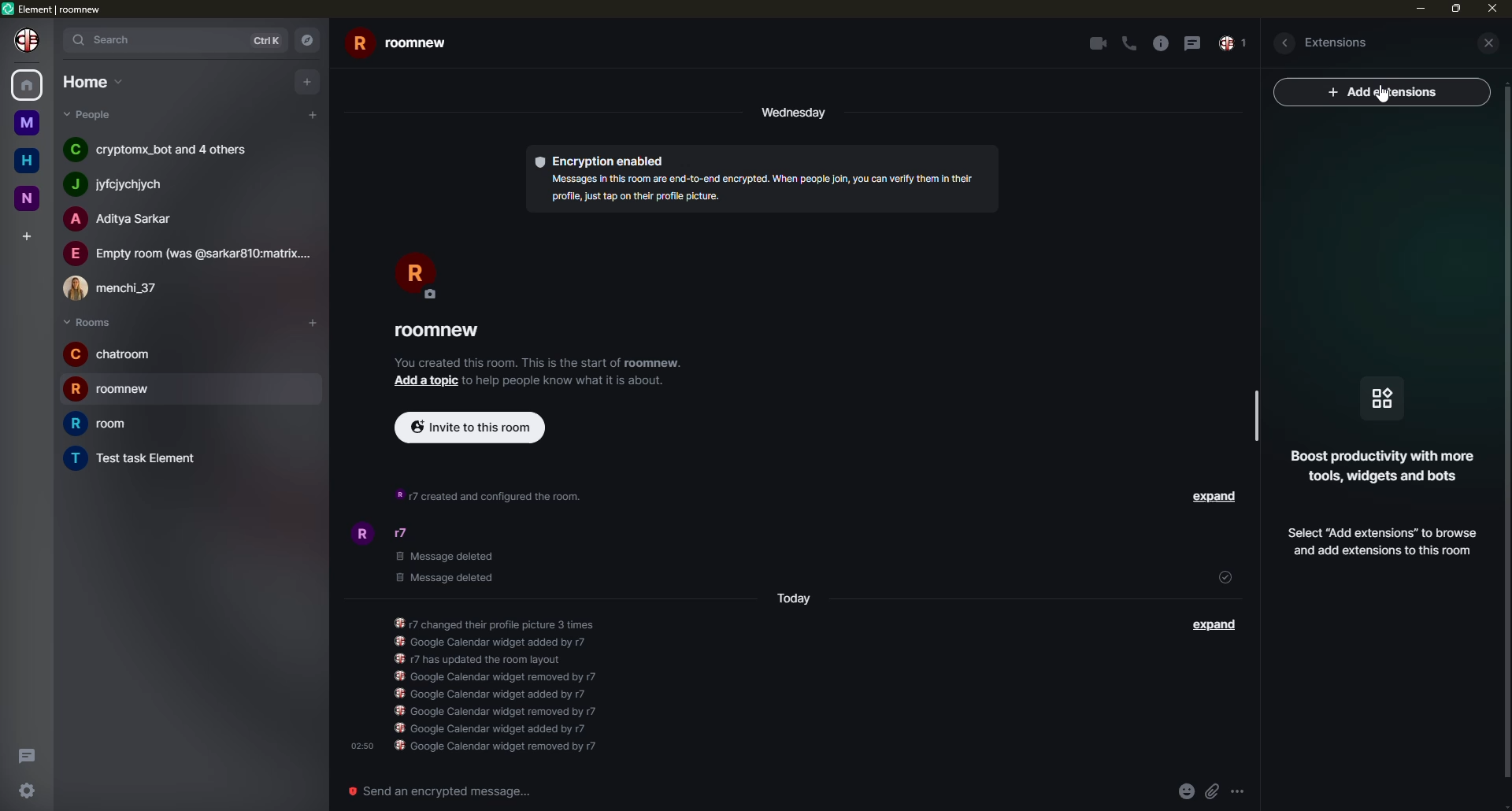 This screenshot has width=1512, height=811. What do you see at coordinates (28, 161) in the screenshot?
I see `home` at bounding box center [28, 161].